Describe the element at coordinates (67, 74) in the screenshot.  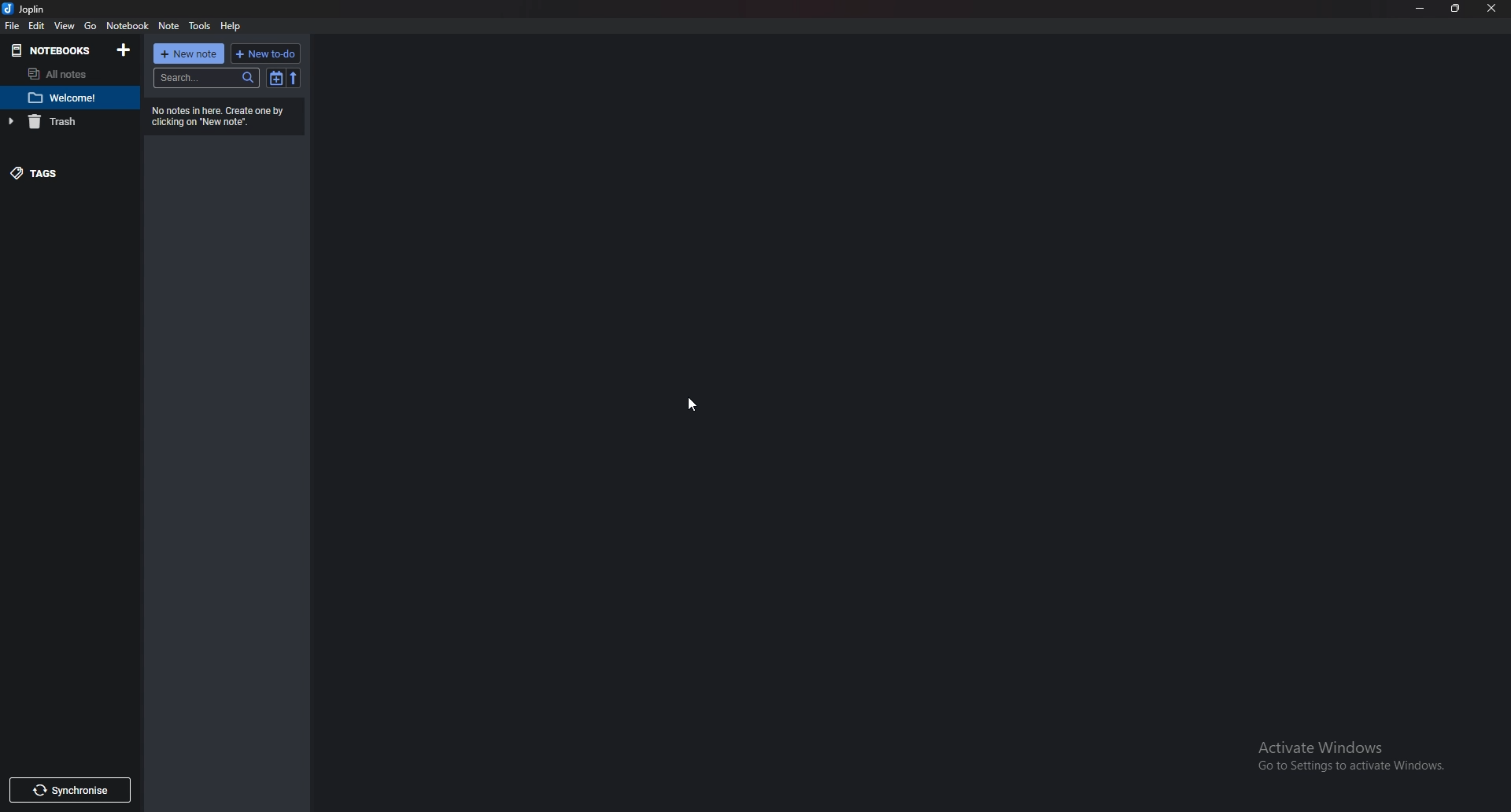
I see `All notes` at that location.